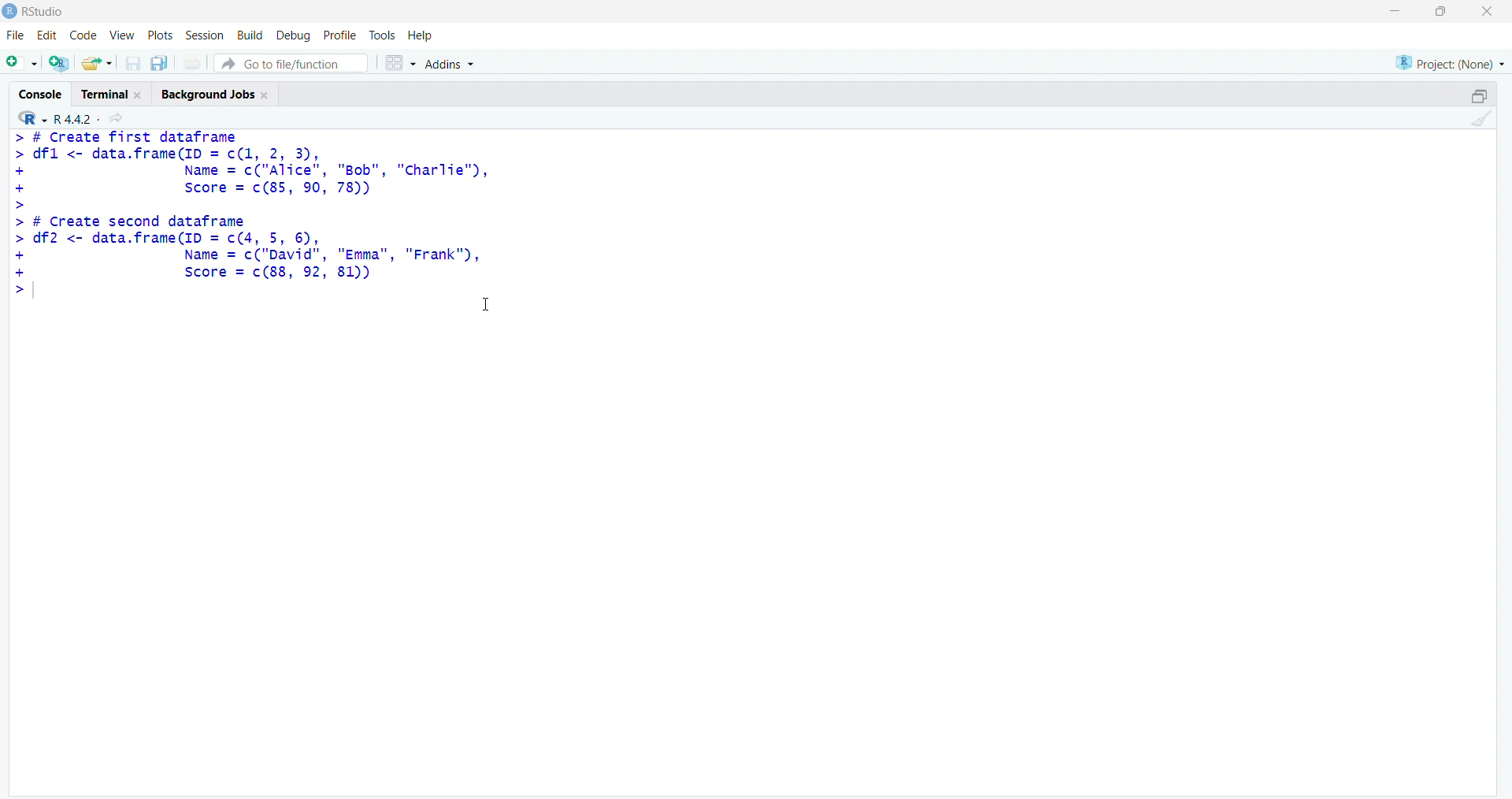  What do you see at coordinates (159, 35) in the screenshot?
I see `Plots` at bounding box center [159, 35].